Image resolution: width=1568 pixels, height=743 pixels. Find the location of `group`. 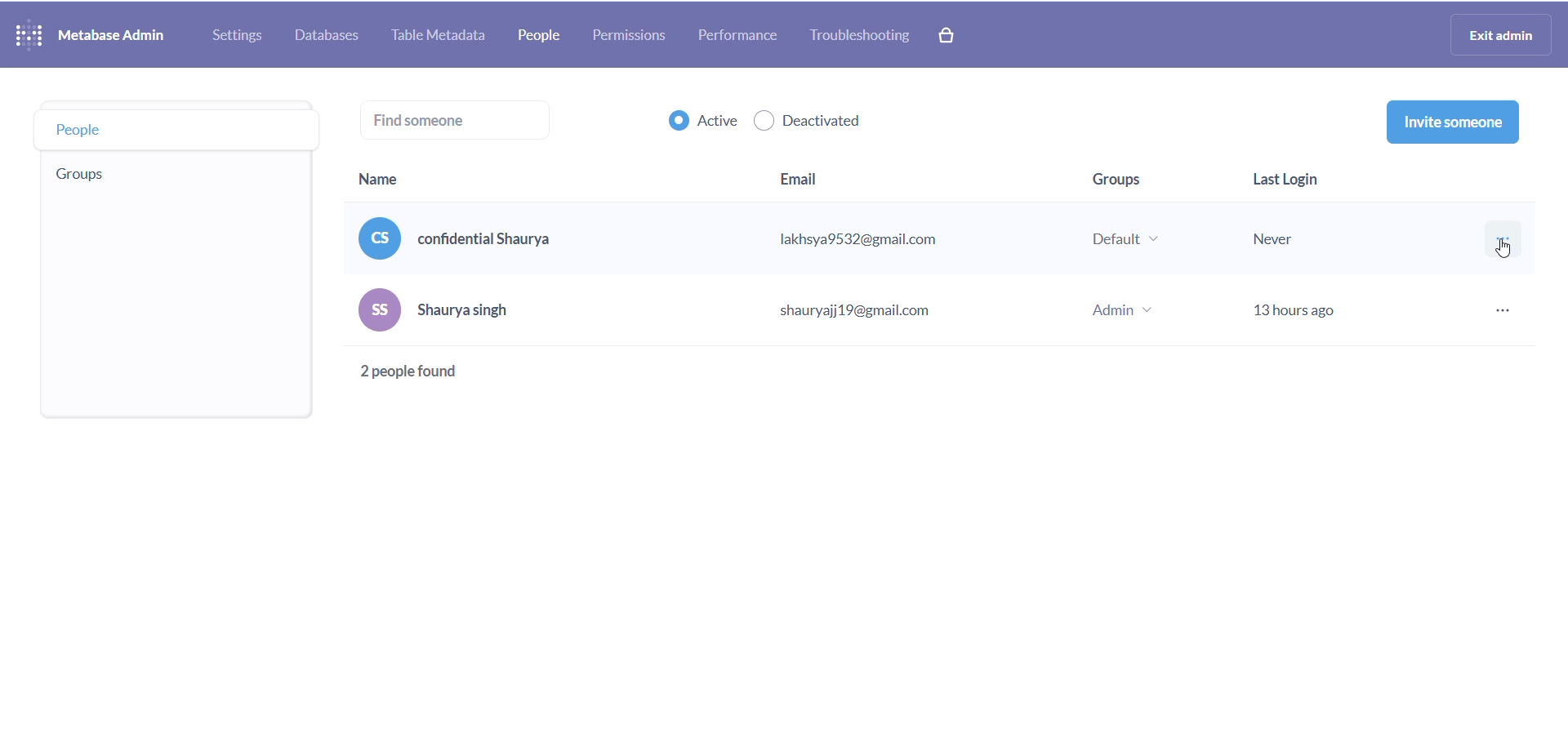

group is located at coordinates (156, 179).